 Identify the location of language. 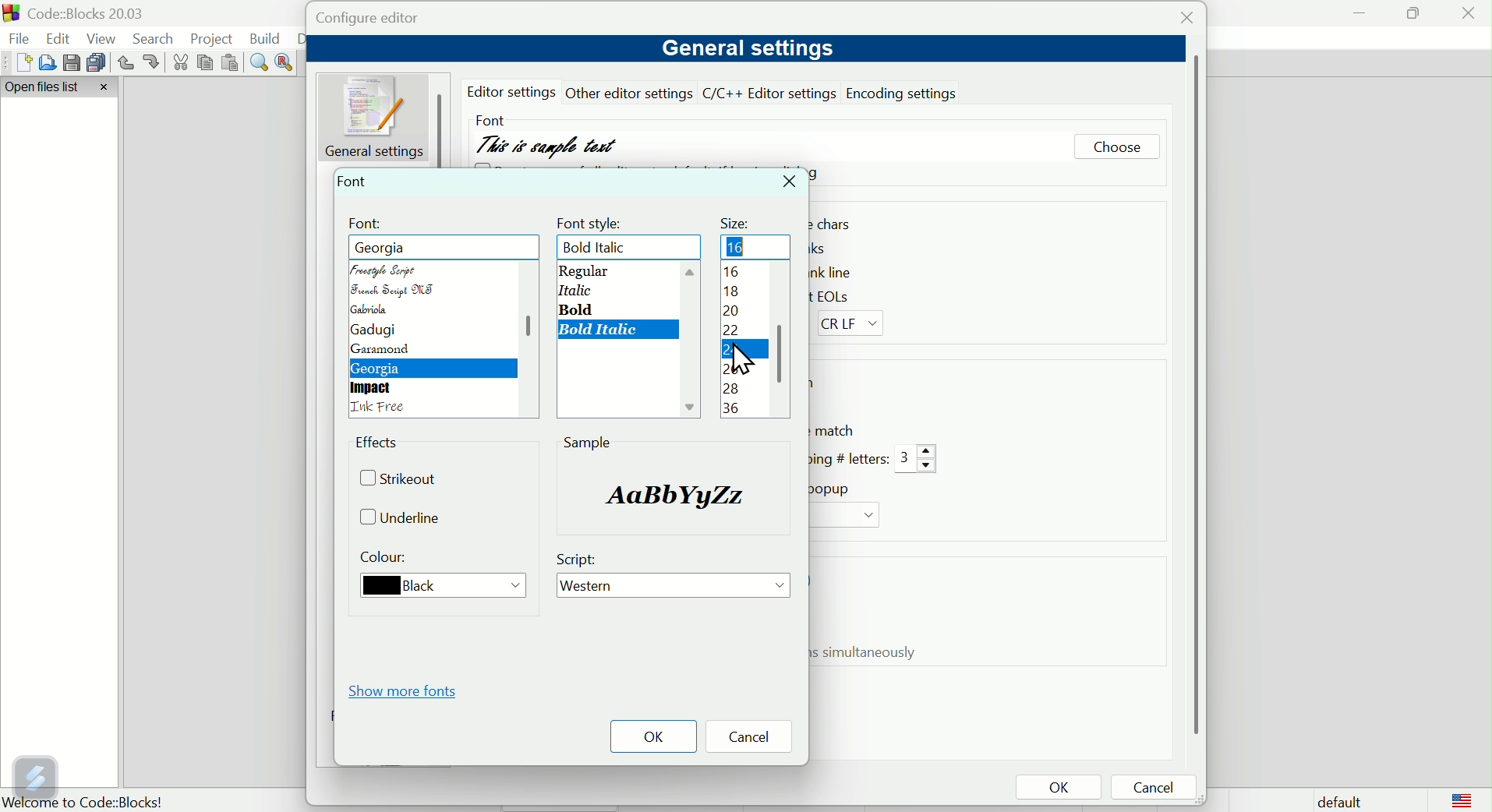
(382, 408).